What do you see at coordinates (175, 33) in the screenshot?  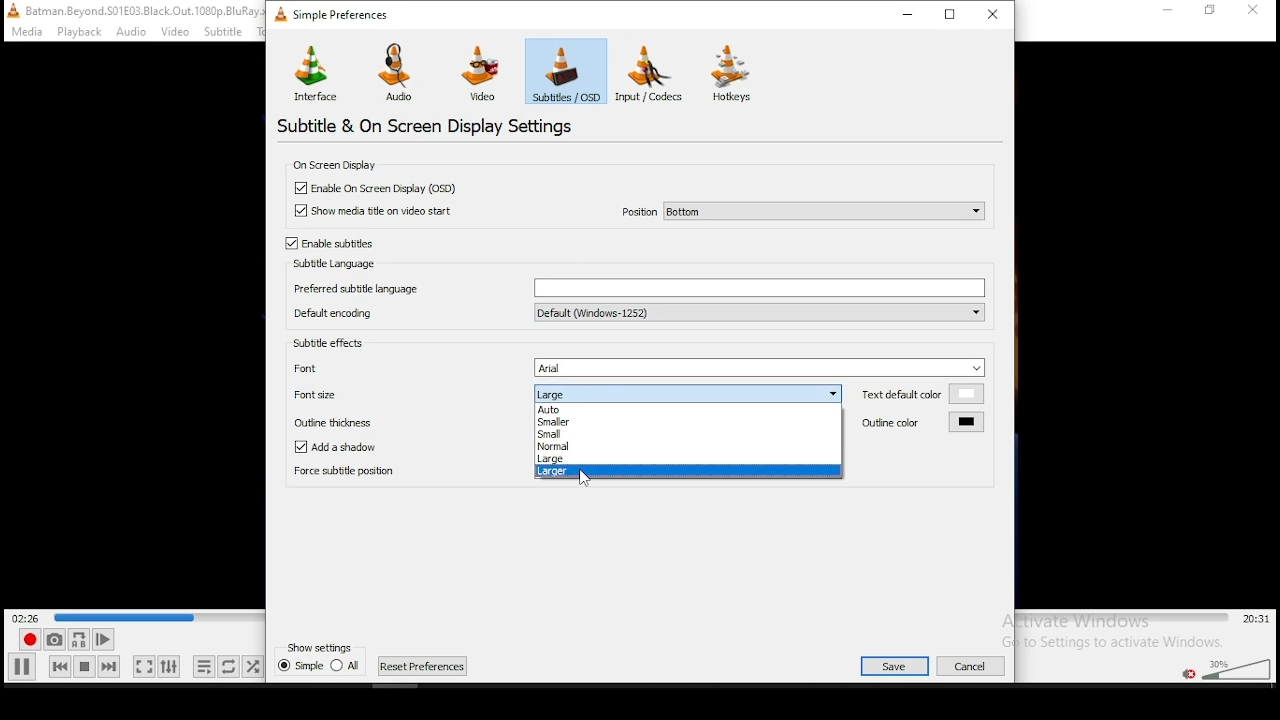 I see `video` at bounding box center [175, 33].